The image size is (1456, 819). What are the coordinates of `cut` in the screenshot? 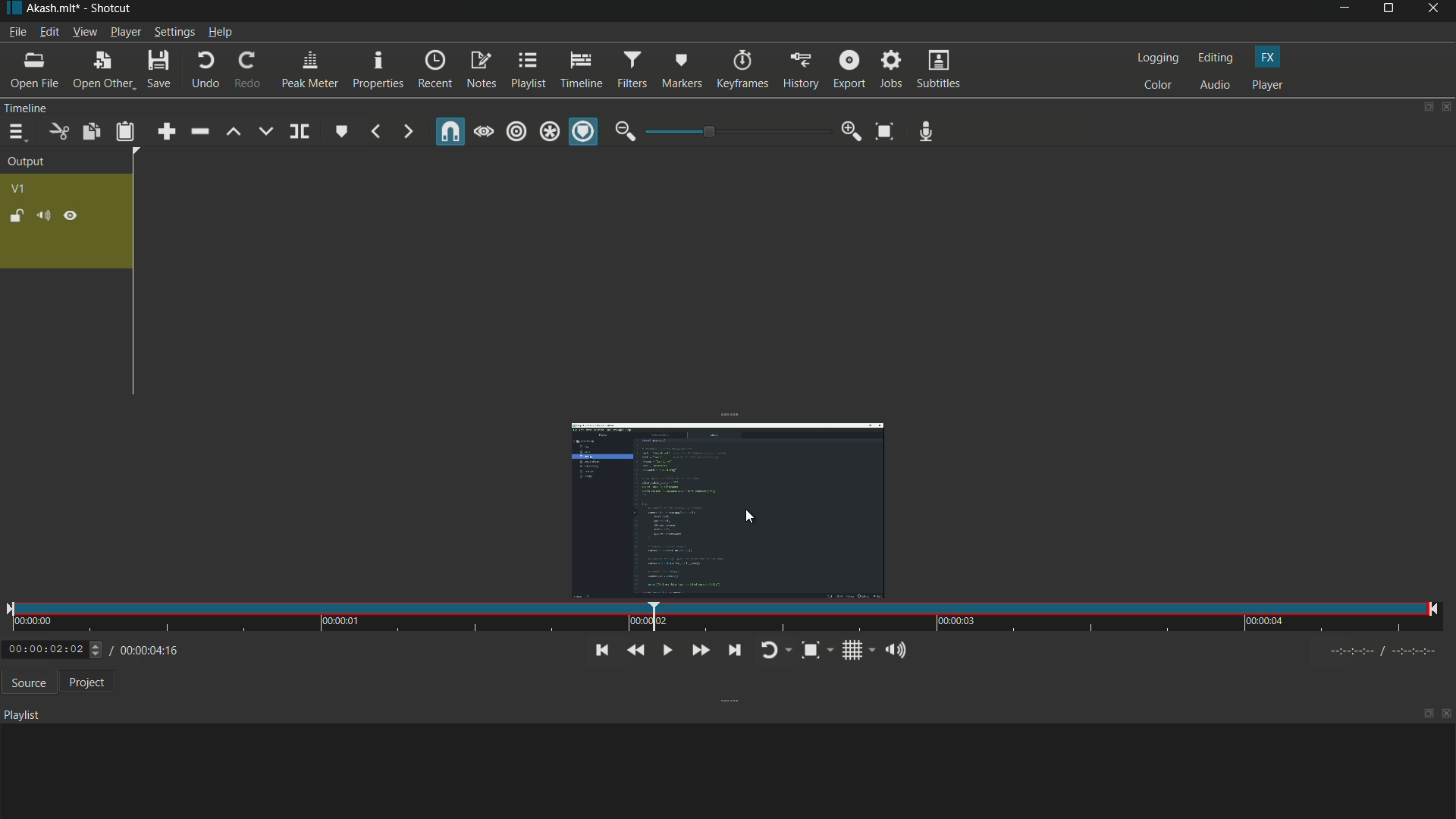 It's located at (57, 132).